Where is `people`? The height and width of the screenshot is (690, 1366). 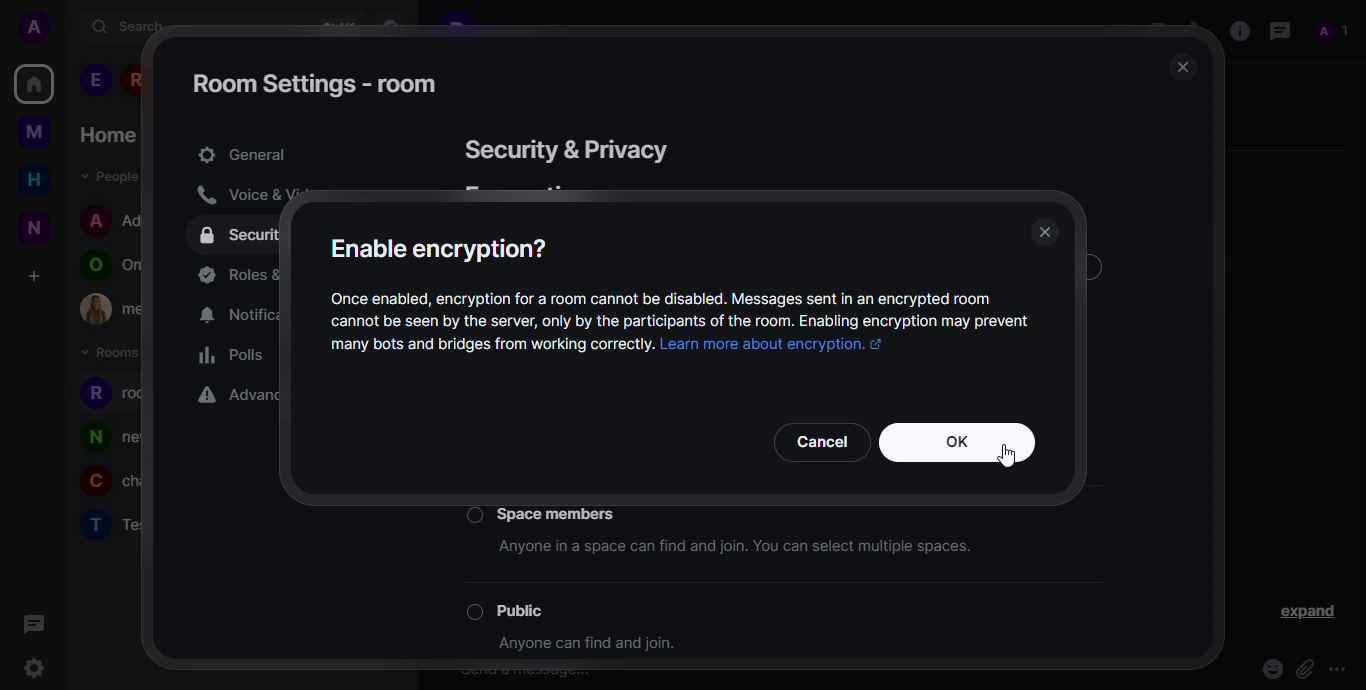
people is located at coordinates (106, 175).